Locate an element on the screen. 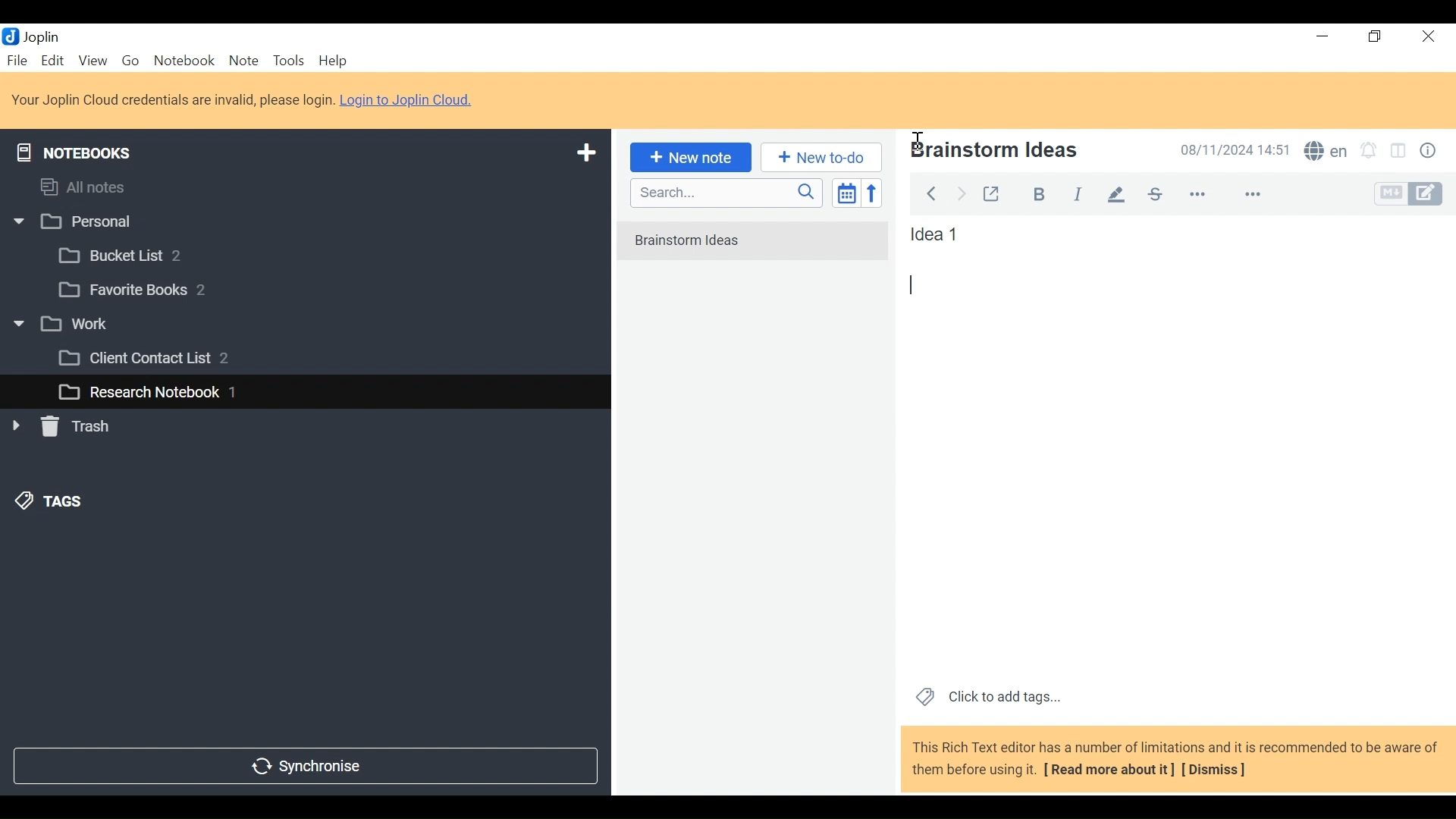 Image resolution: width=1456 pixels, height=819 pixels. Toggle sort order field is located at coordinates (845, 192).